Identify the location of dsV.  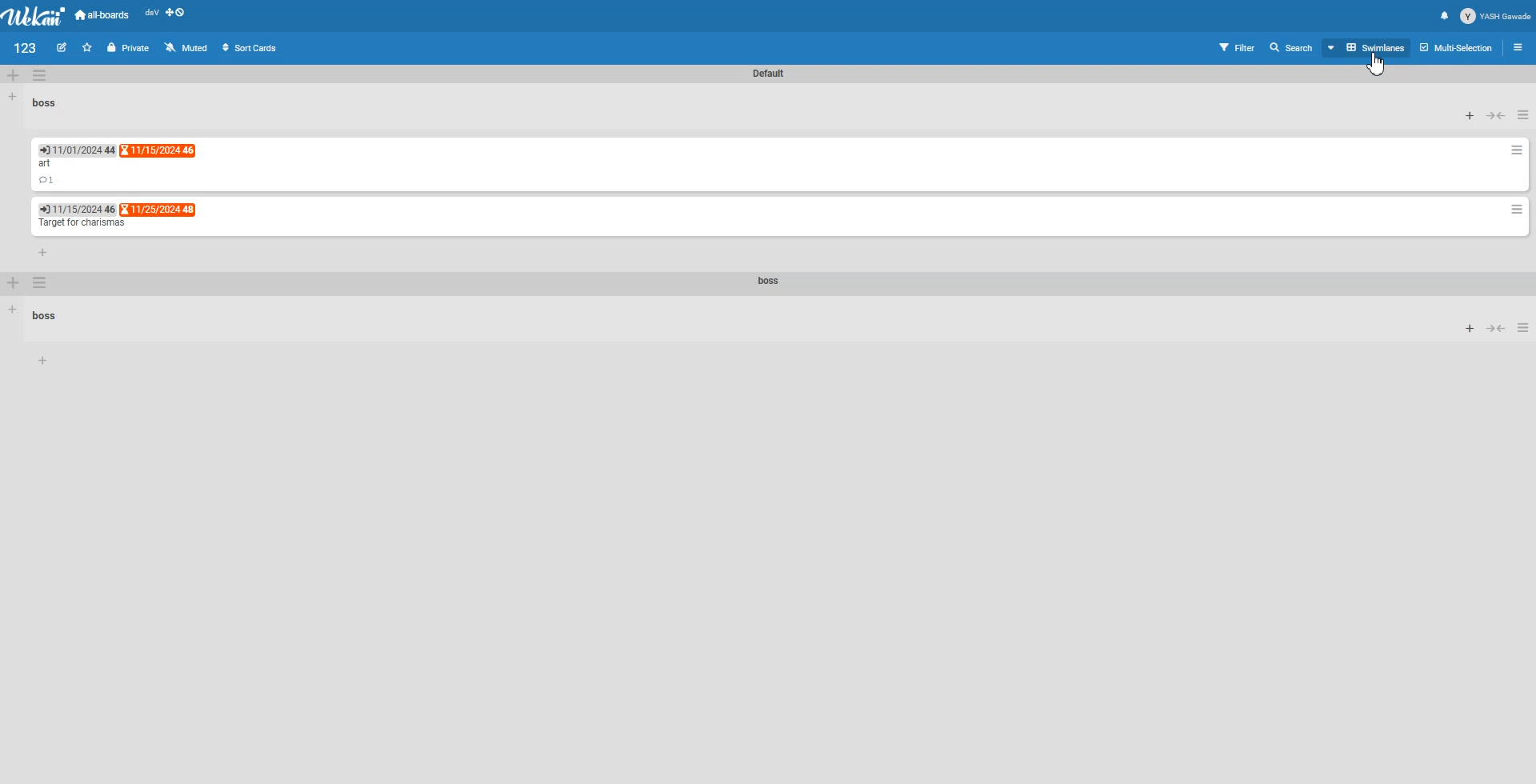
(151, 13).